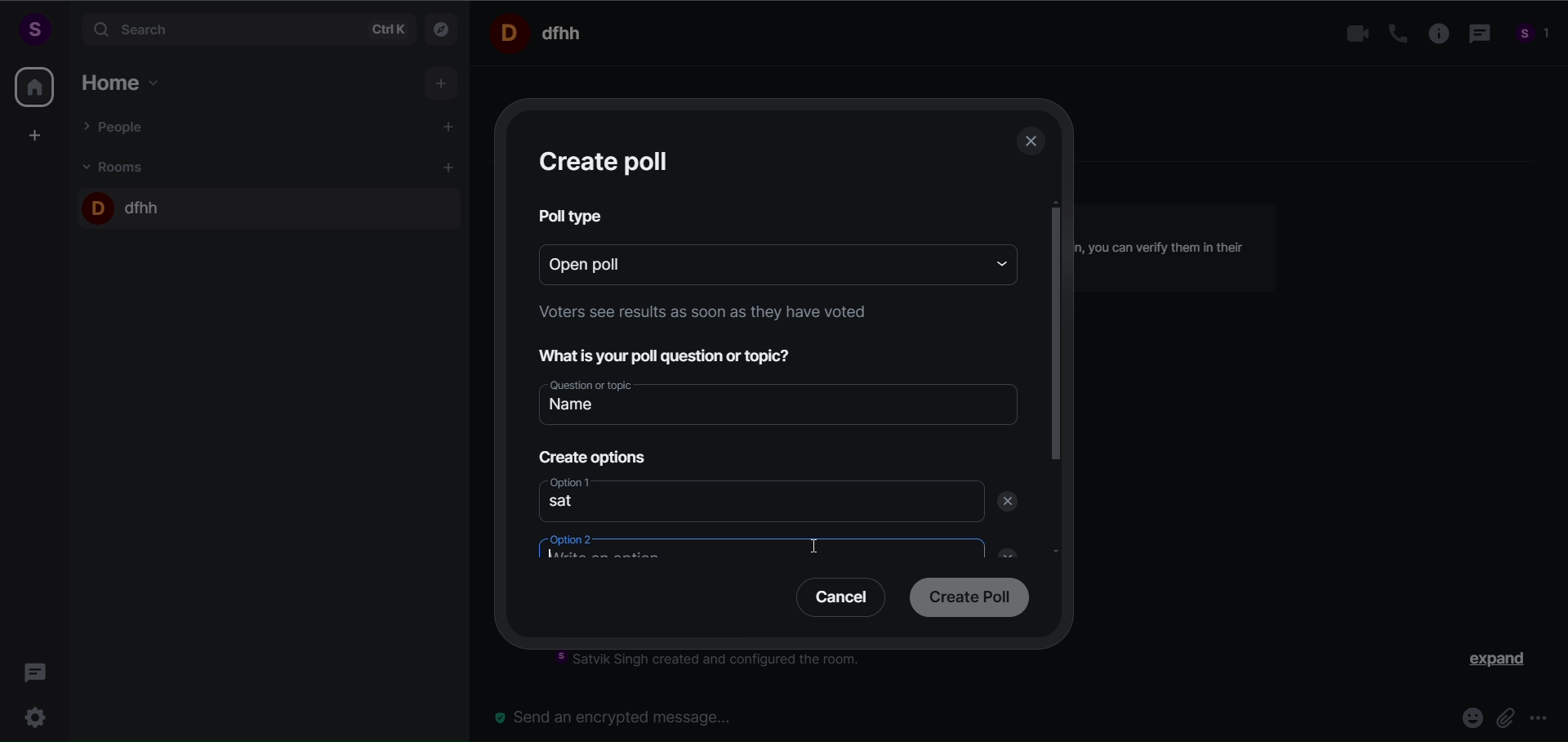 This screenshot has height=742, width=1568. Describe the element at coordinates (822, 550) in the screenshot. I see `Cursor` at that location.